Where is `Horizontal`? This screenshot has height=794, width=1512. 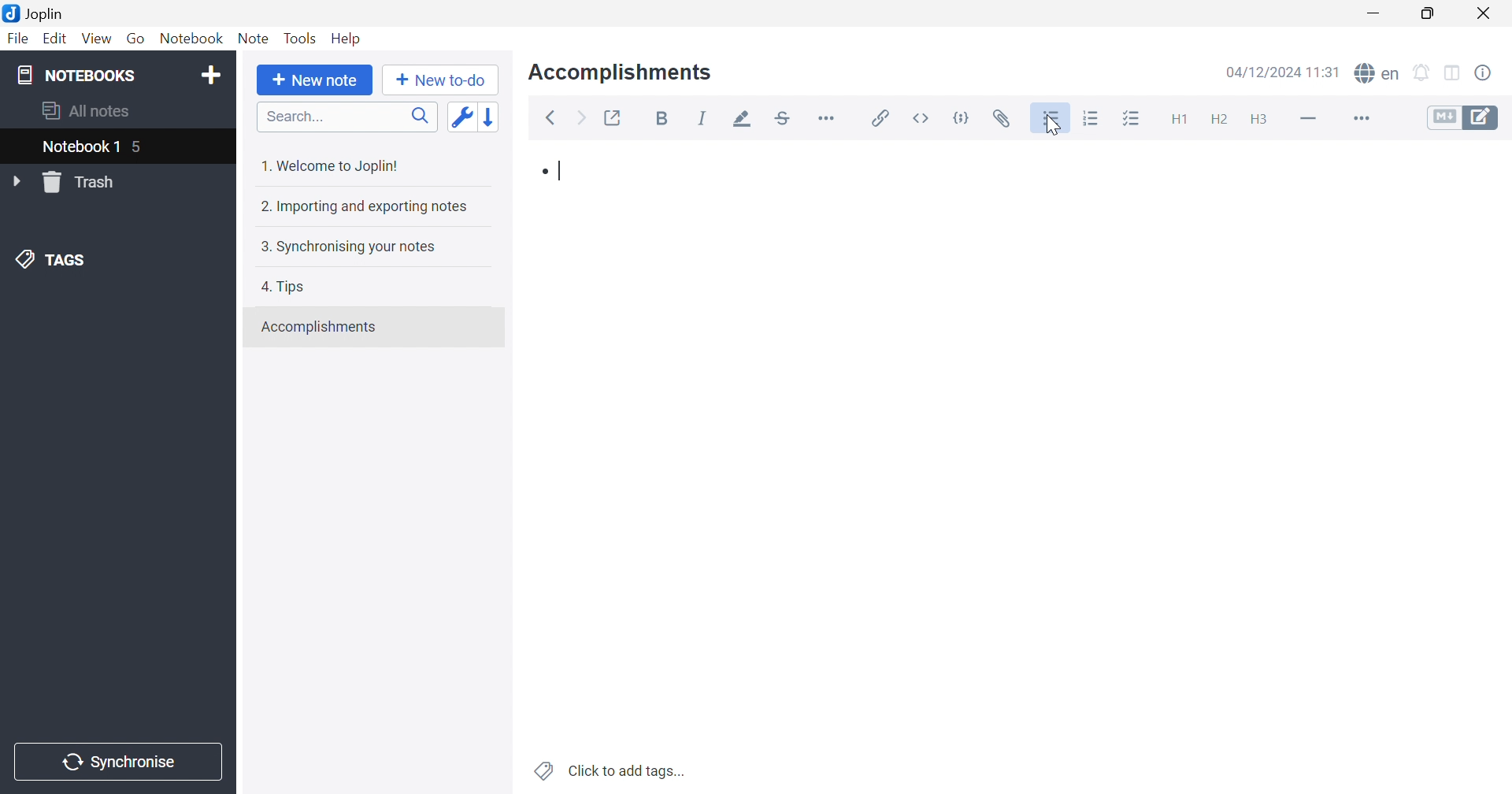
Horizontal is located at coordinates (828, 118).